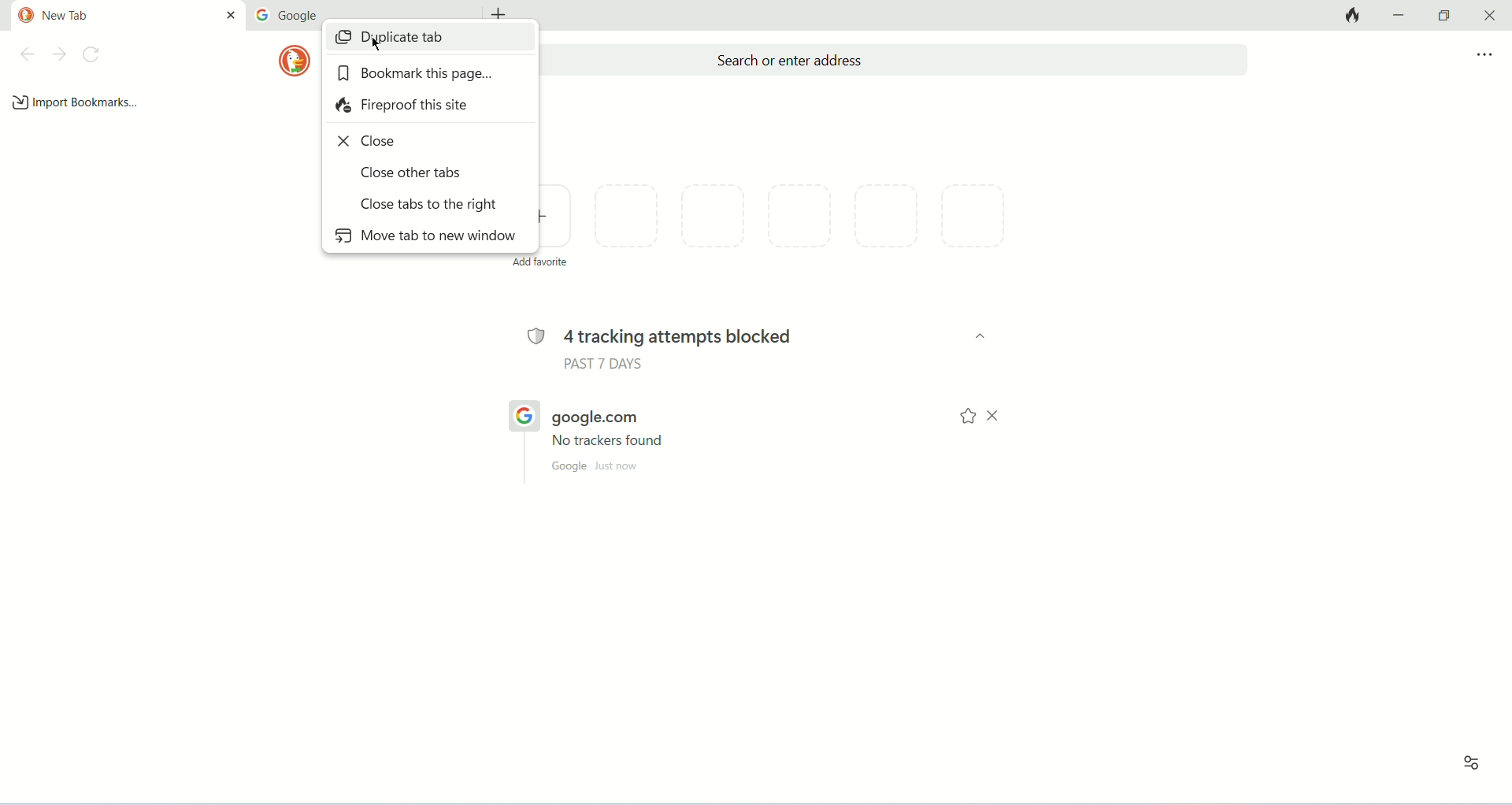 The height and width of the screenshot is (805, 1512). I want to click on duck duck go logo, so click(294, 60).